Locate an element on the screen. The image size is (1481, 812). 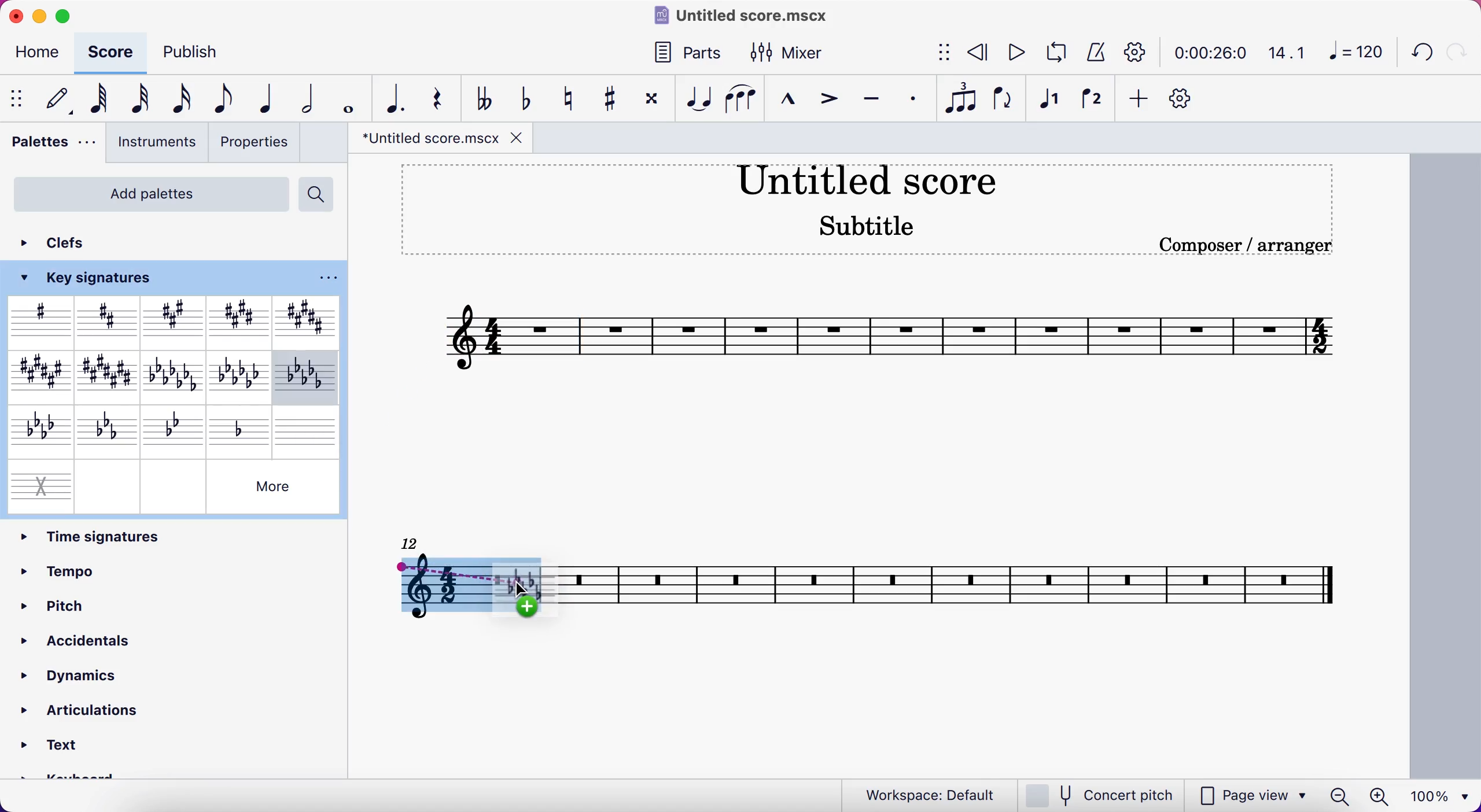
instruments is located at coordinates (156, 146).